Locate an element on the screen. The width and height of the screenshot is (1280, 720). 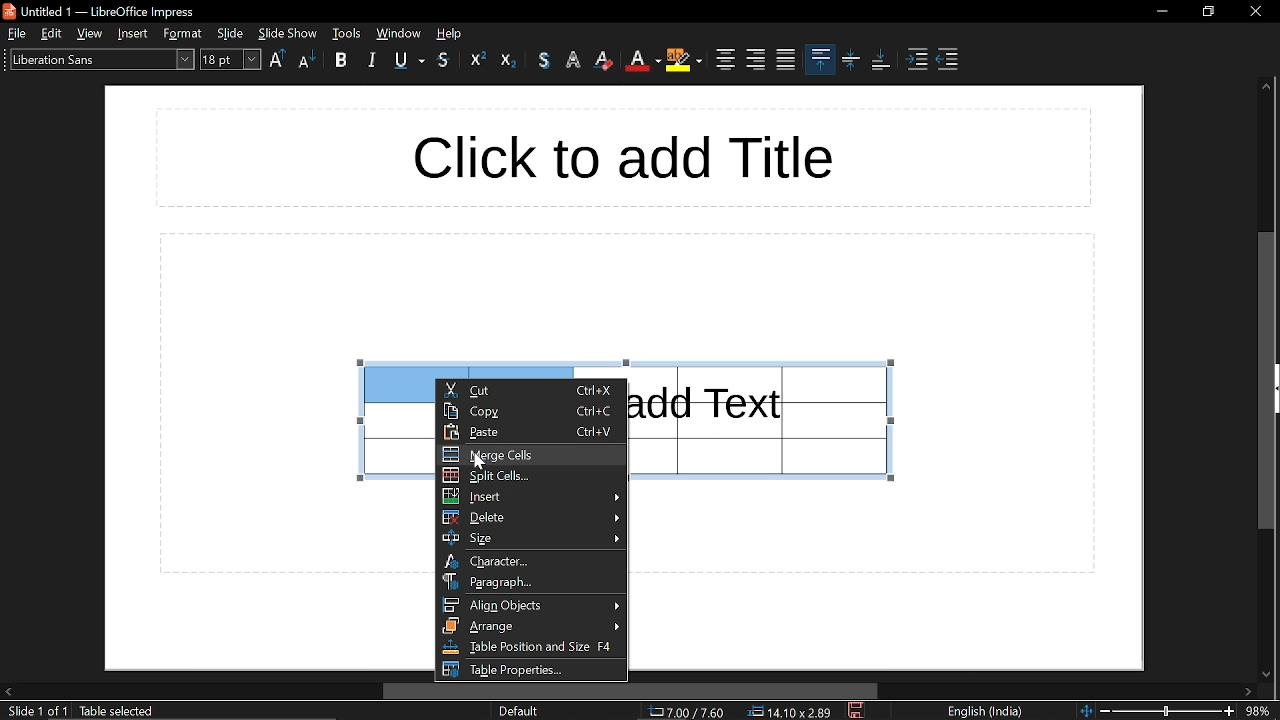
align top is located at coordinates (820, 58).